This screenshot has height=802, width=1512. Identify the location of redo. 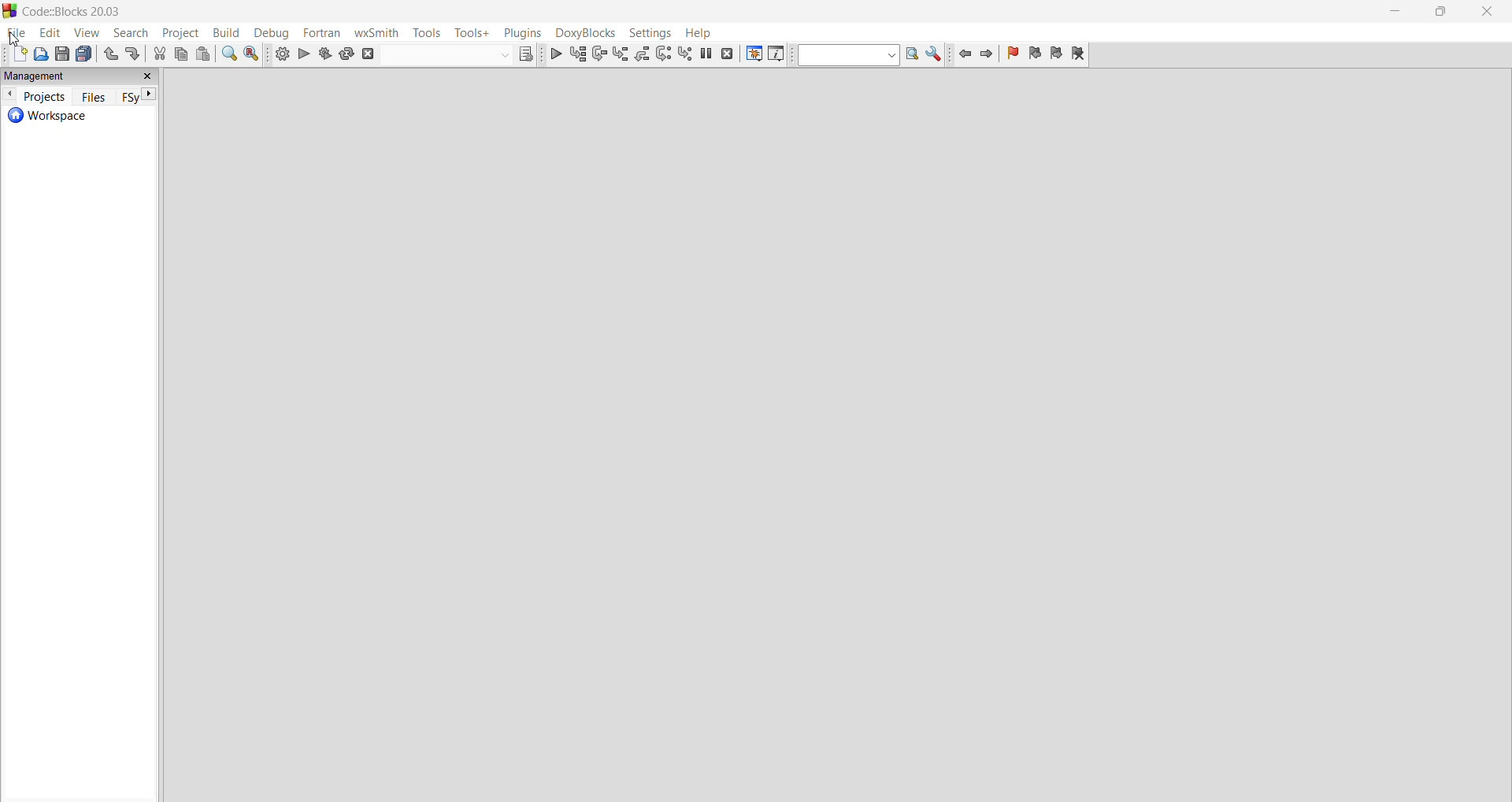
(135, 54).